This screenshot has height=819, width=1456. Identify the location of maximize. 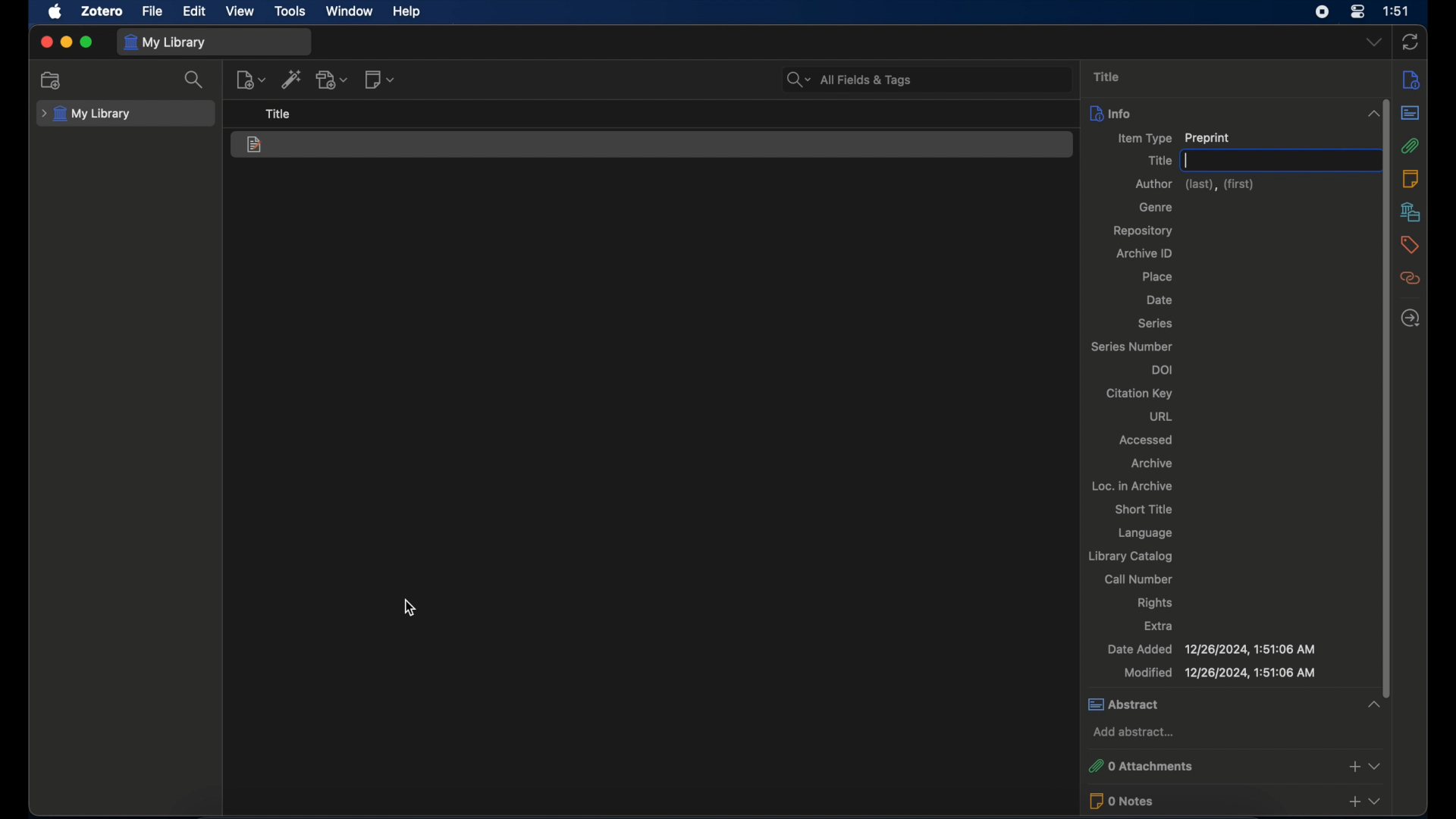
(86, 43).